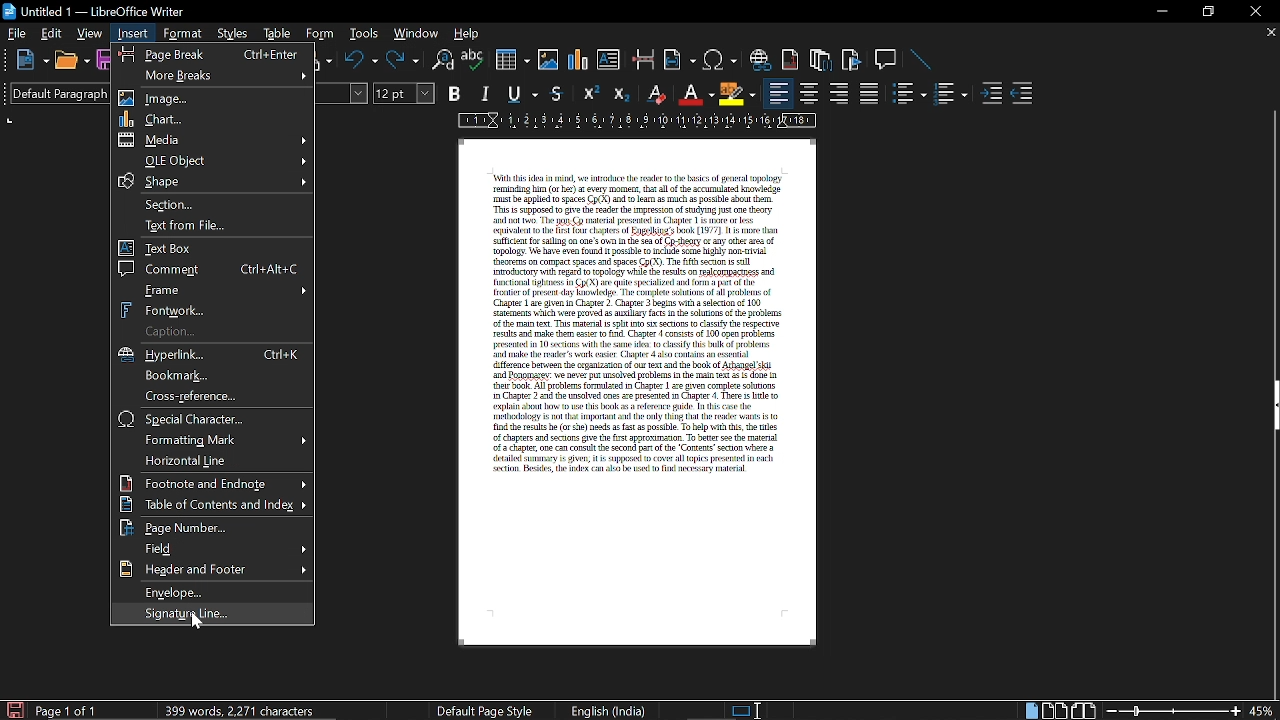 This screenshot has height=720, width=1280. What do you see at coordinates (779, 92) in the screenshot?
I see `align left` at bounding box center [779, 92].